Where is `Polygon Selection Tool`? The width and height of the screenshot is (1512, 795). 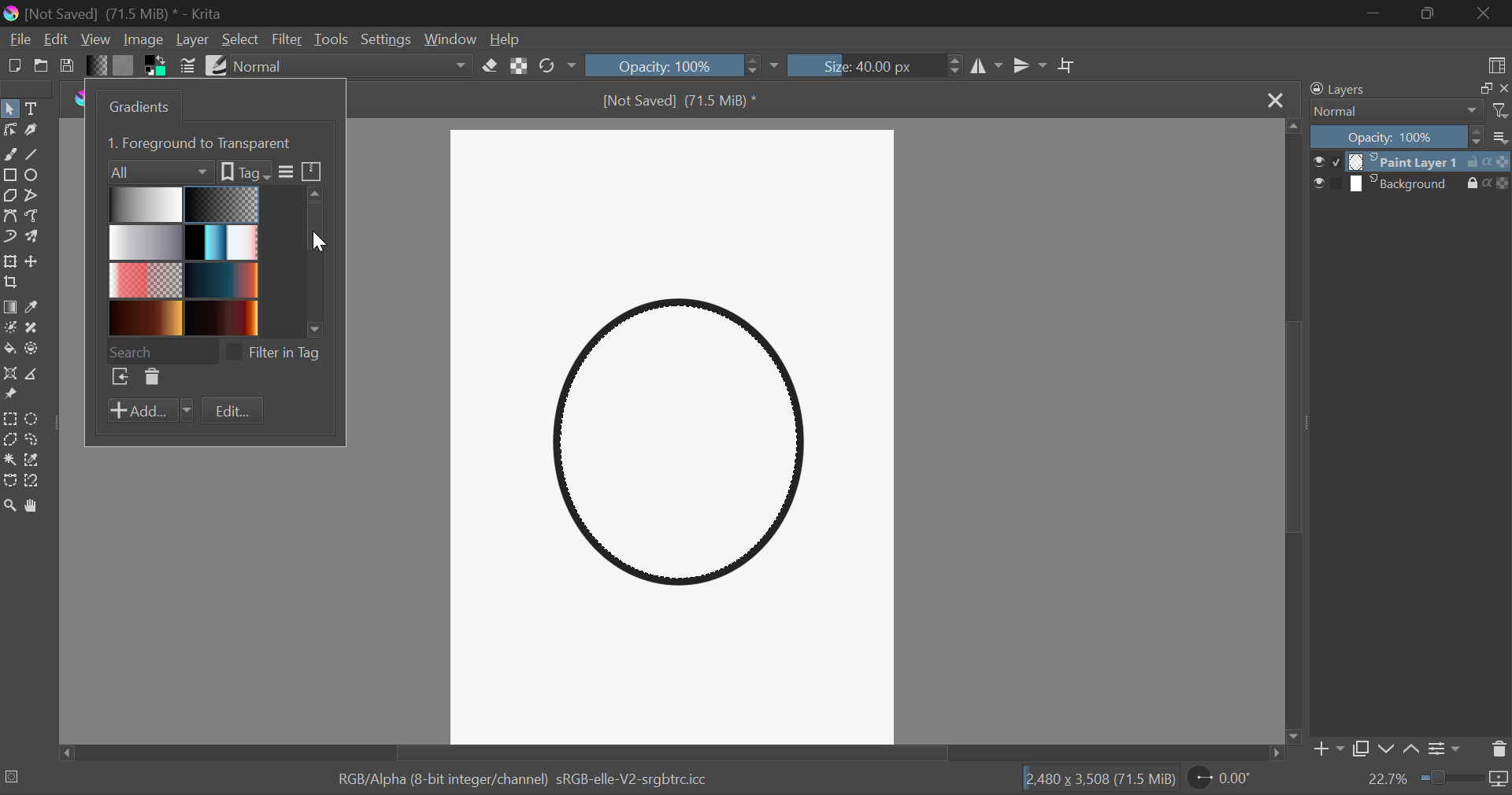 Polygon Selection Tool is located at coordinates (9, 439).